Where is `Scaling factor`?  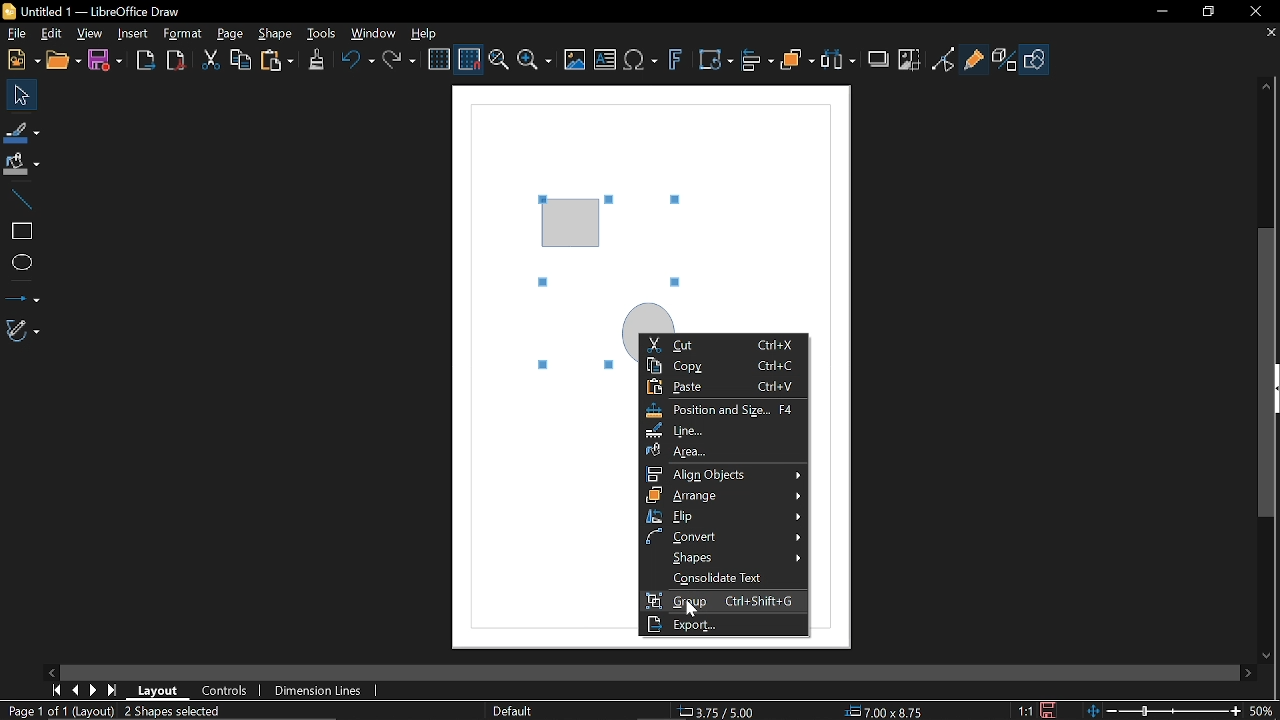 Scaling factor is located at coordinates (1023, 711).